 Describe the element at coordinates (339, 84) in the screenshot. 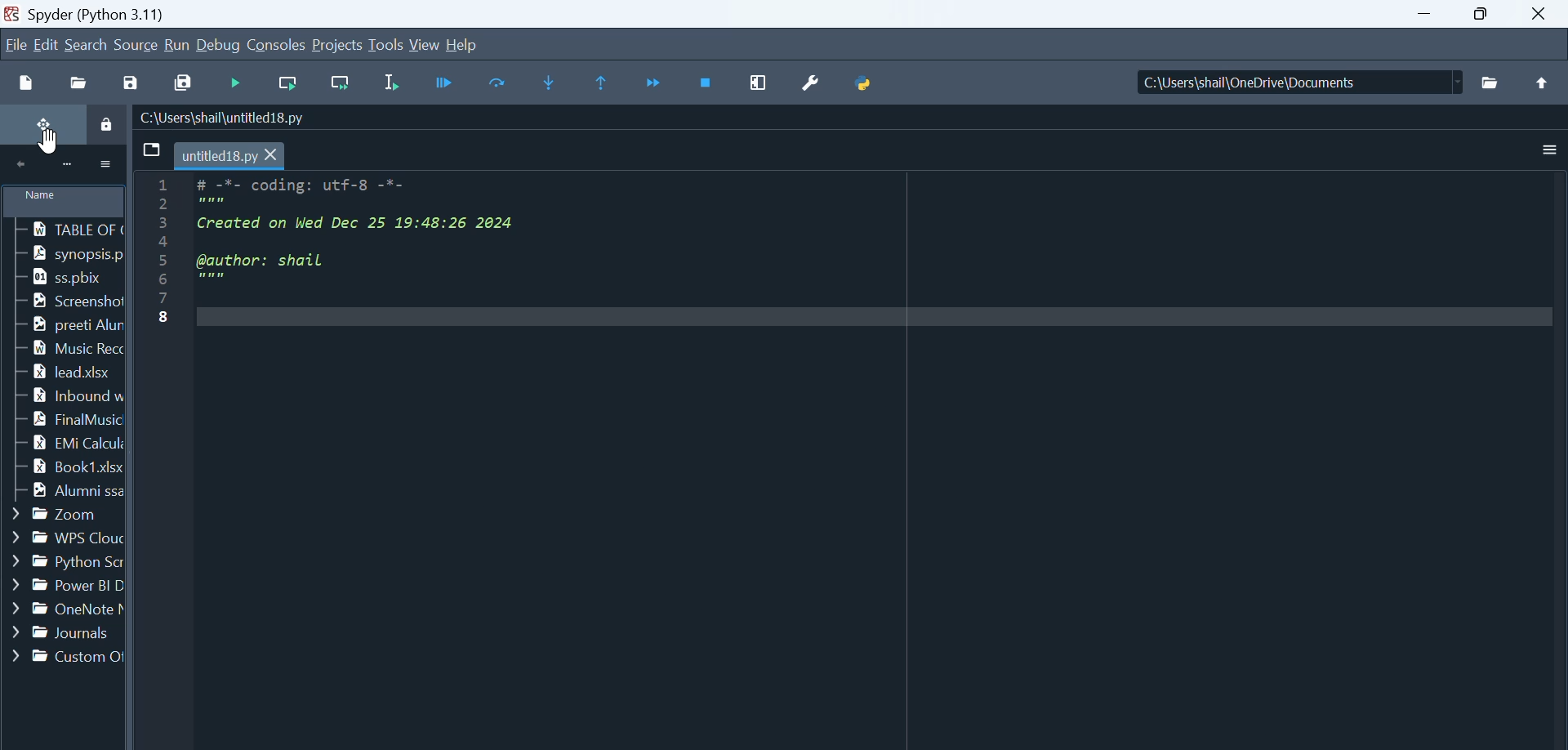

I see `Run current file and go to the next one` at that location.